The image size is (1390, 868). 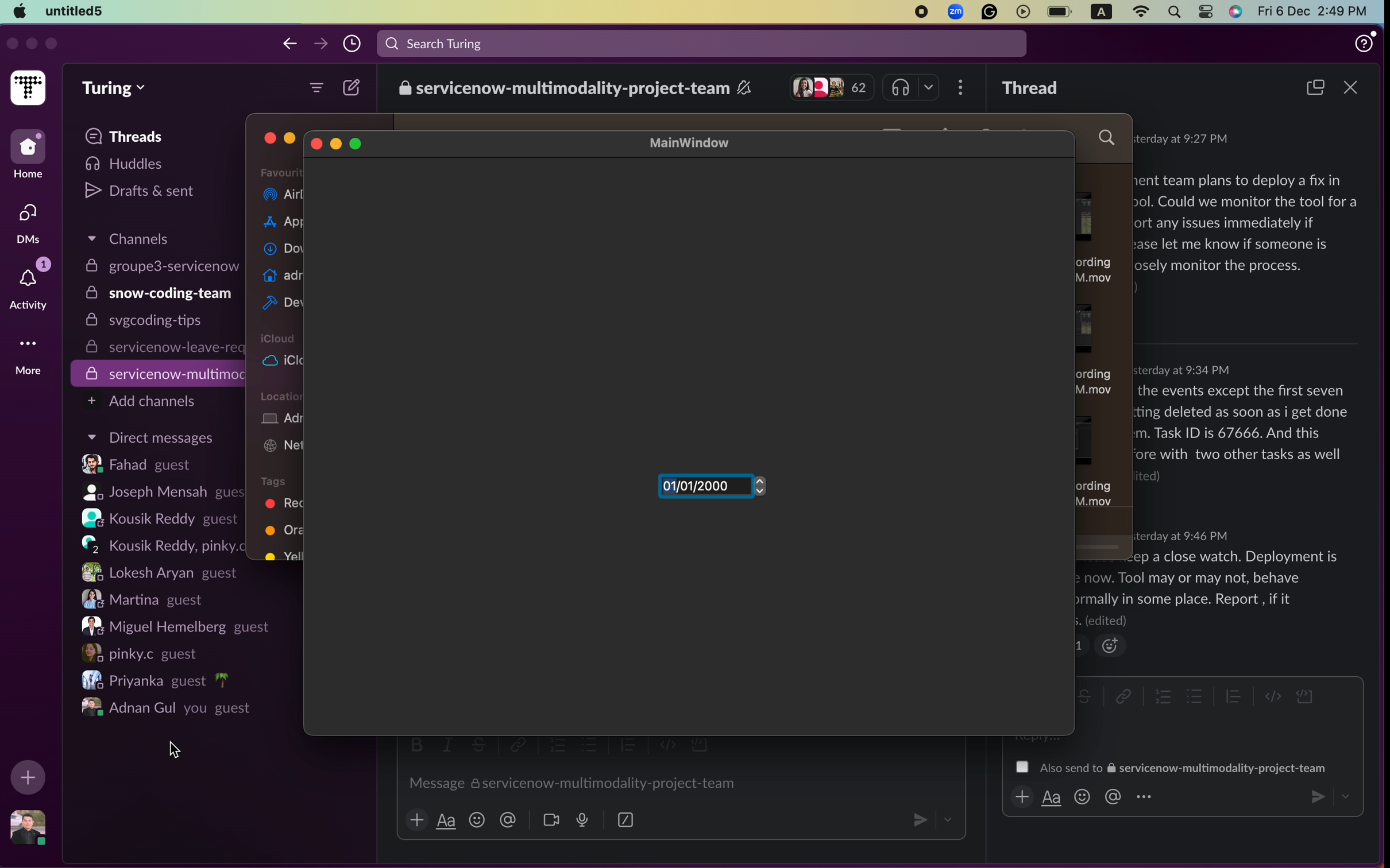 I want to click on minimize, so click(x=337, y=144).